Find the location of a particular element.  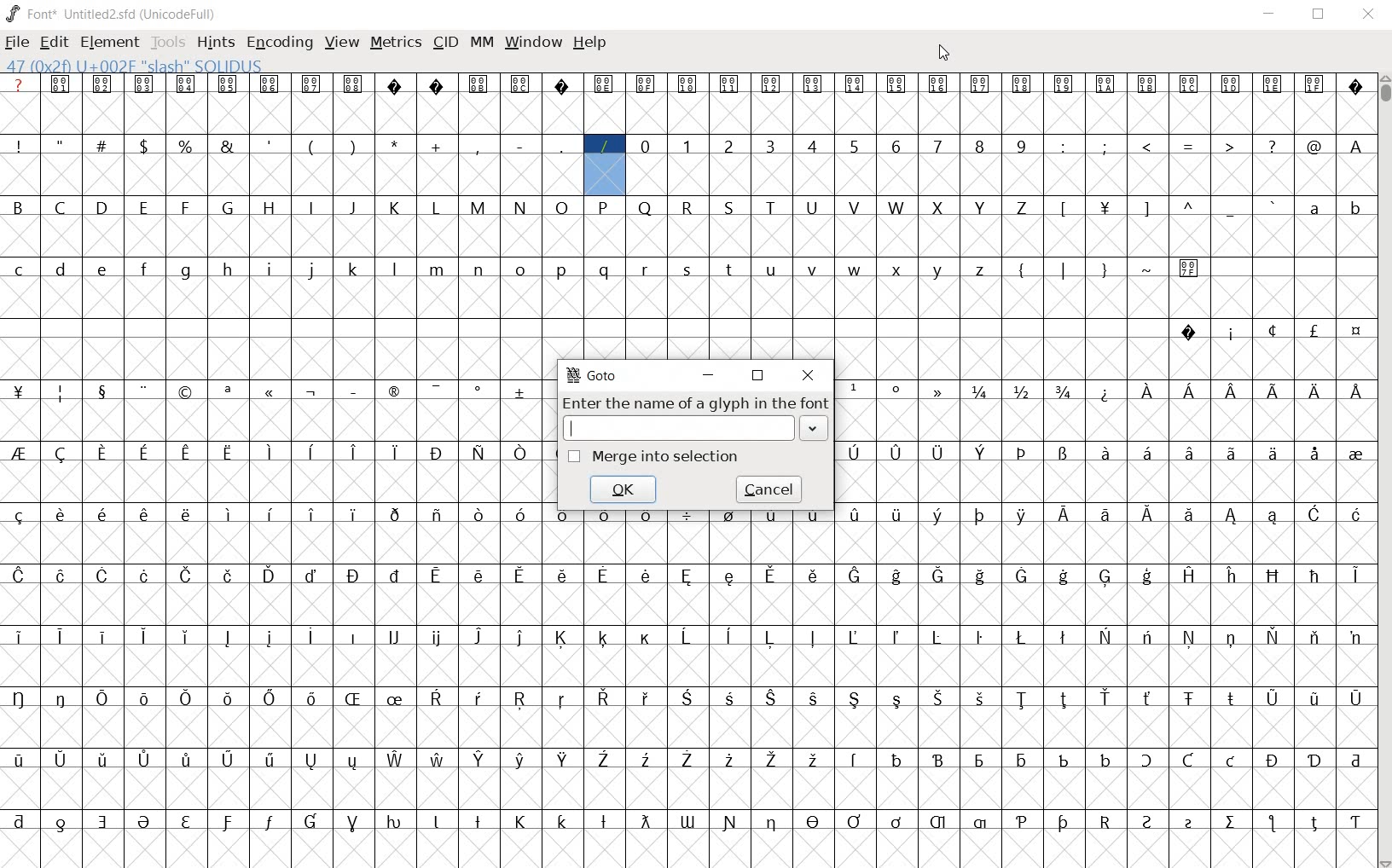

glyph is located at coordinates (937, 454).